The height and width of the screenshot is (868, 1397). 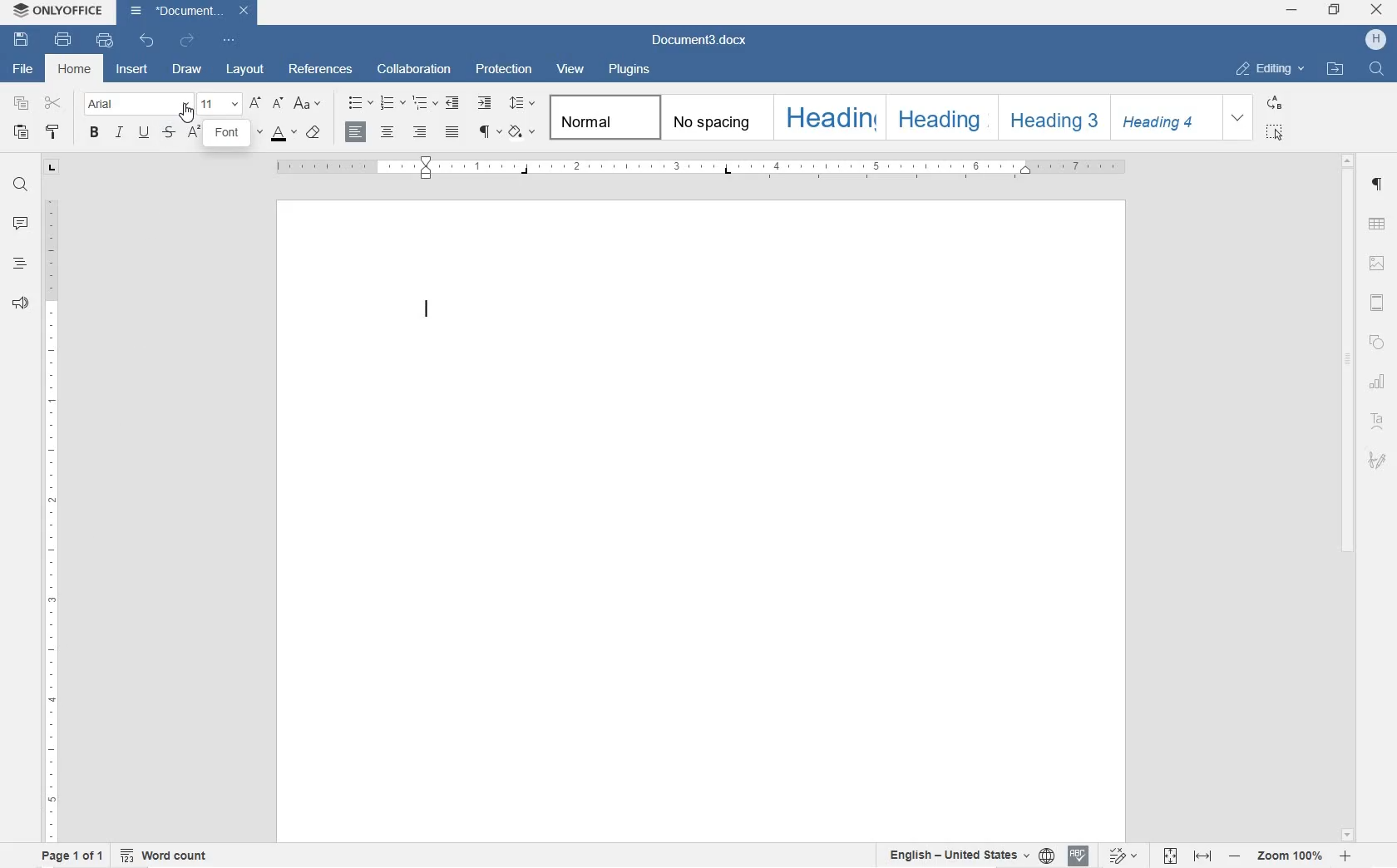 I want to click on CHART, so click(x=1379, y=382).